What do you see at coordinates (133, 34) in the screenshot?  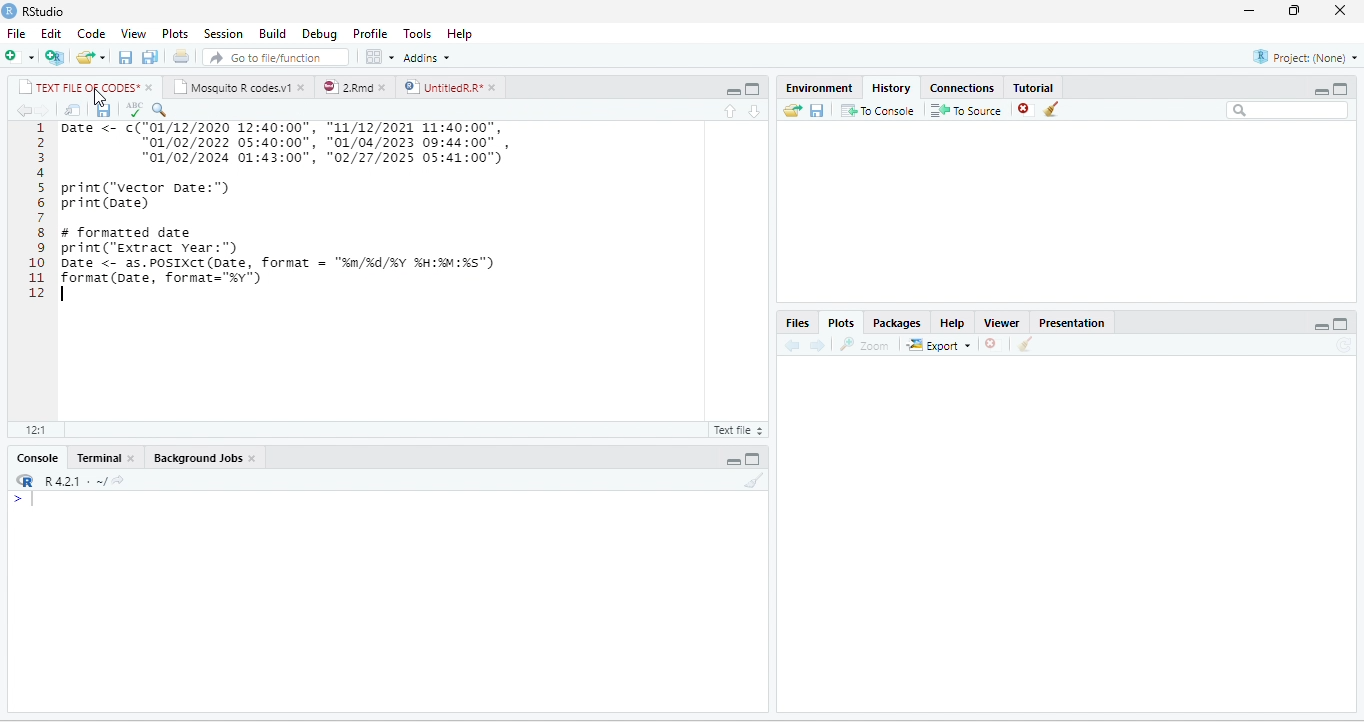 I see `View` at bounding box center [133, 34].